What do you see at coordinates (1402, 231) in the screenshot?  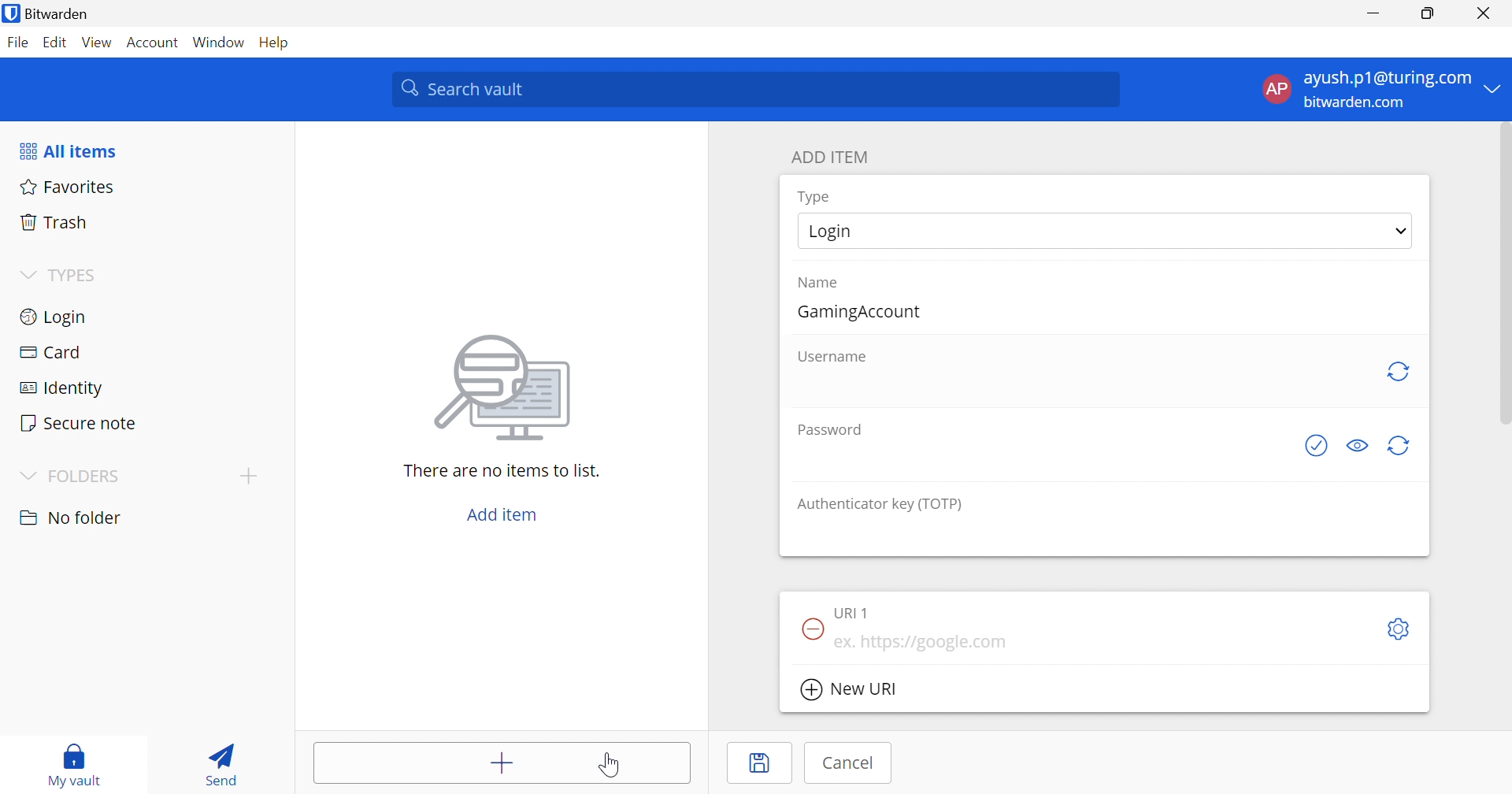 I see `Drop Down` at bounding box center [1402, 231].